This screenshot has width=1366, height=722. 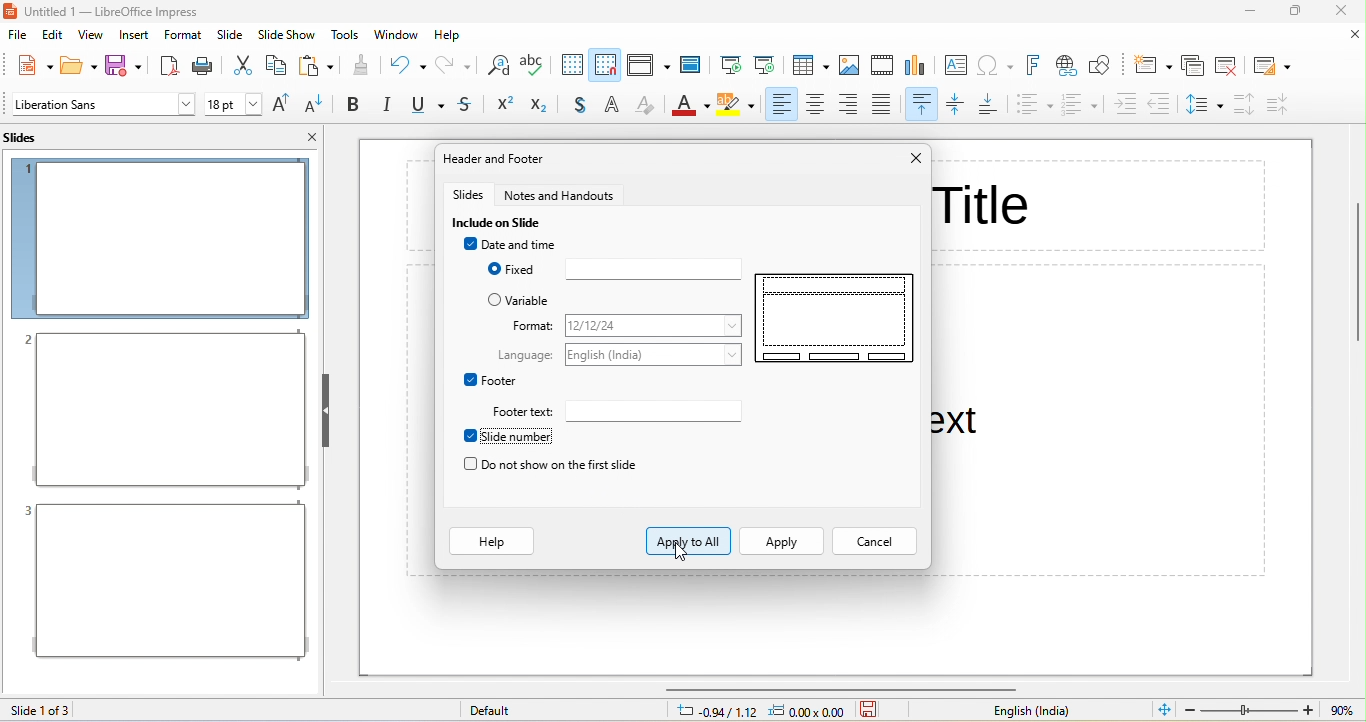 What do you see at coordinates (469, 244) in the screenshot?
I see `Checkbox` at bounding box center [469, 244].